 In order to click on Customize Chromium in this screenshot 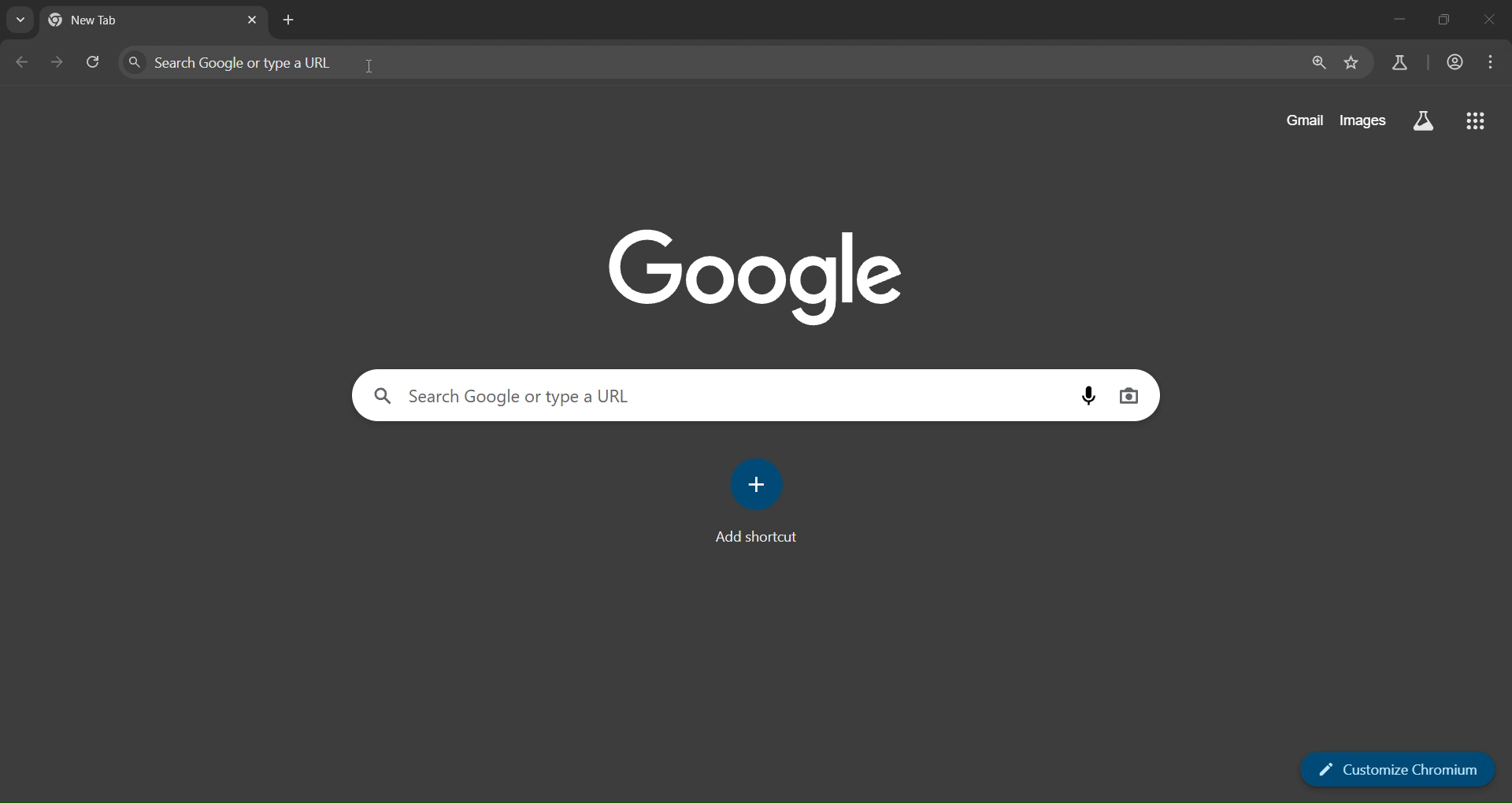, I will do `click(1399, 771)`.